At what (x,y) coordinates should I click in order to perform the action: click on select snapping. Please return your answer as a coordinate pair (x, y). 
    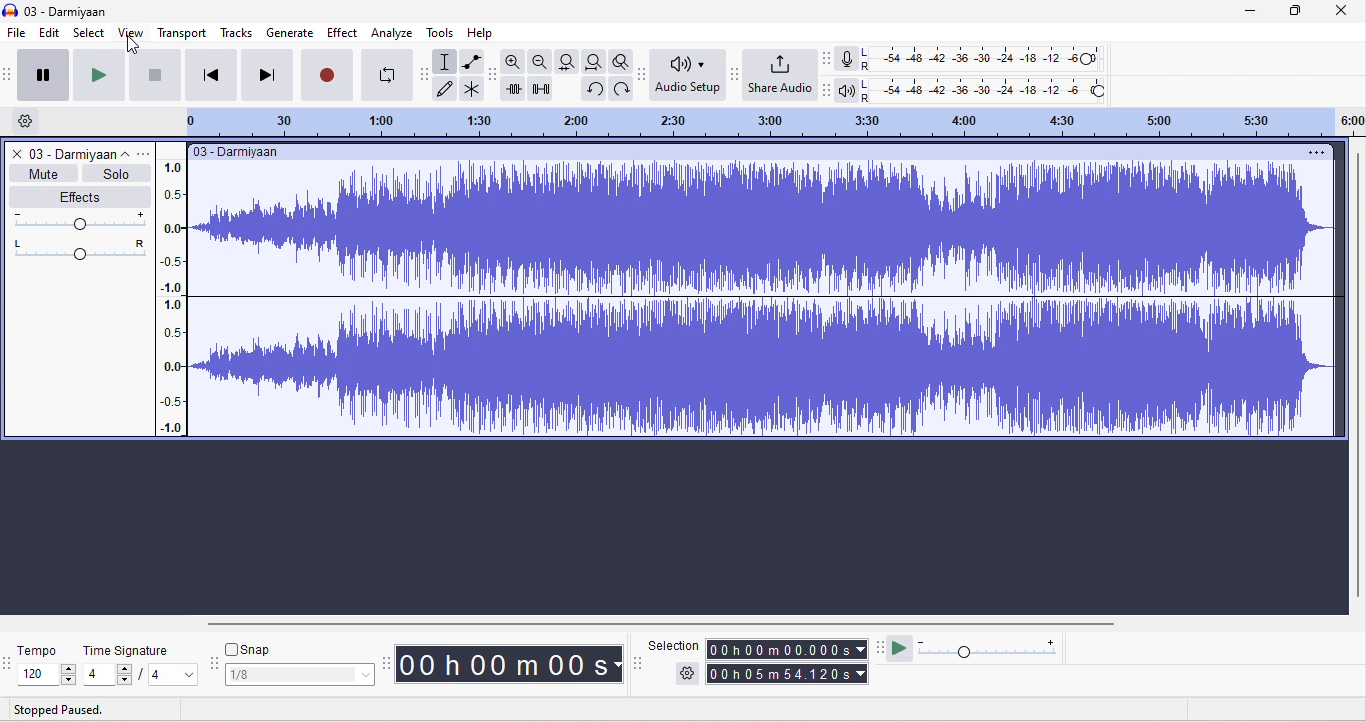
    Looking at the image, I should click on (301, 675).